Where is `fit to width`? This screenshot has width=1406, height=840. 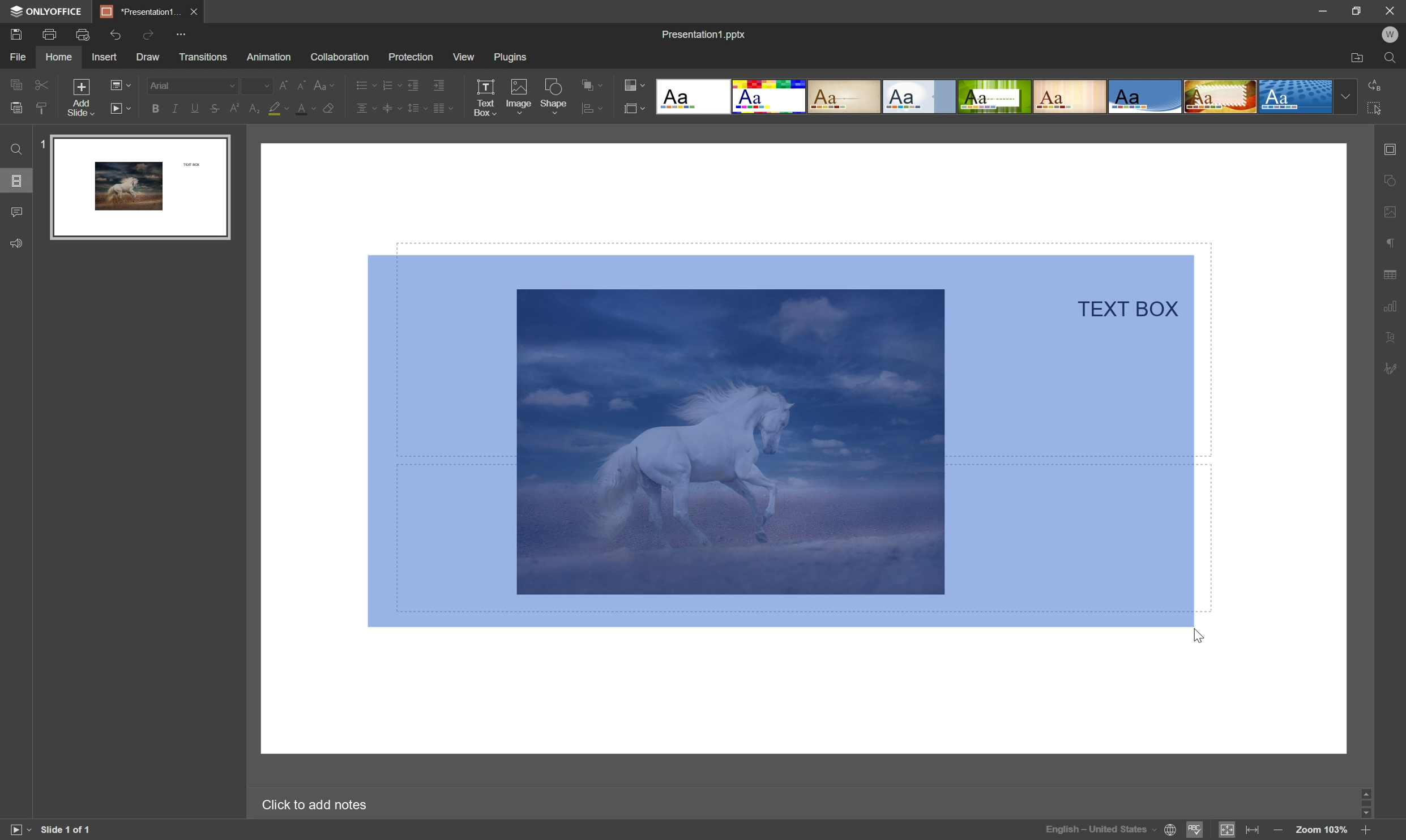
fit to width is located at coordinates (1254, 830).